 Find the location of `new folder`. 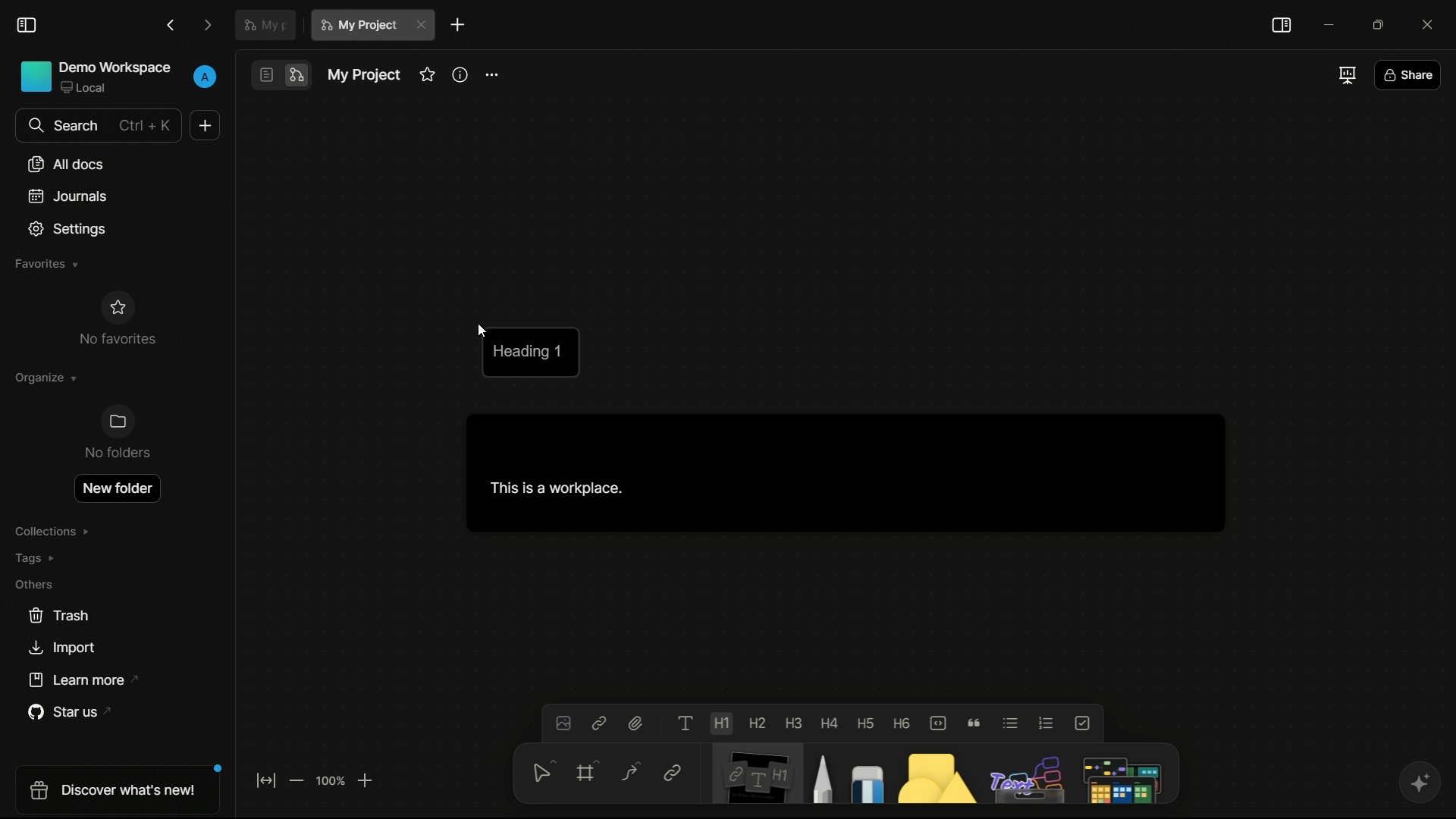

new folder is located at coordinates (117, 485).